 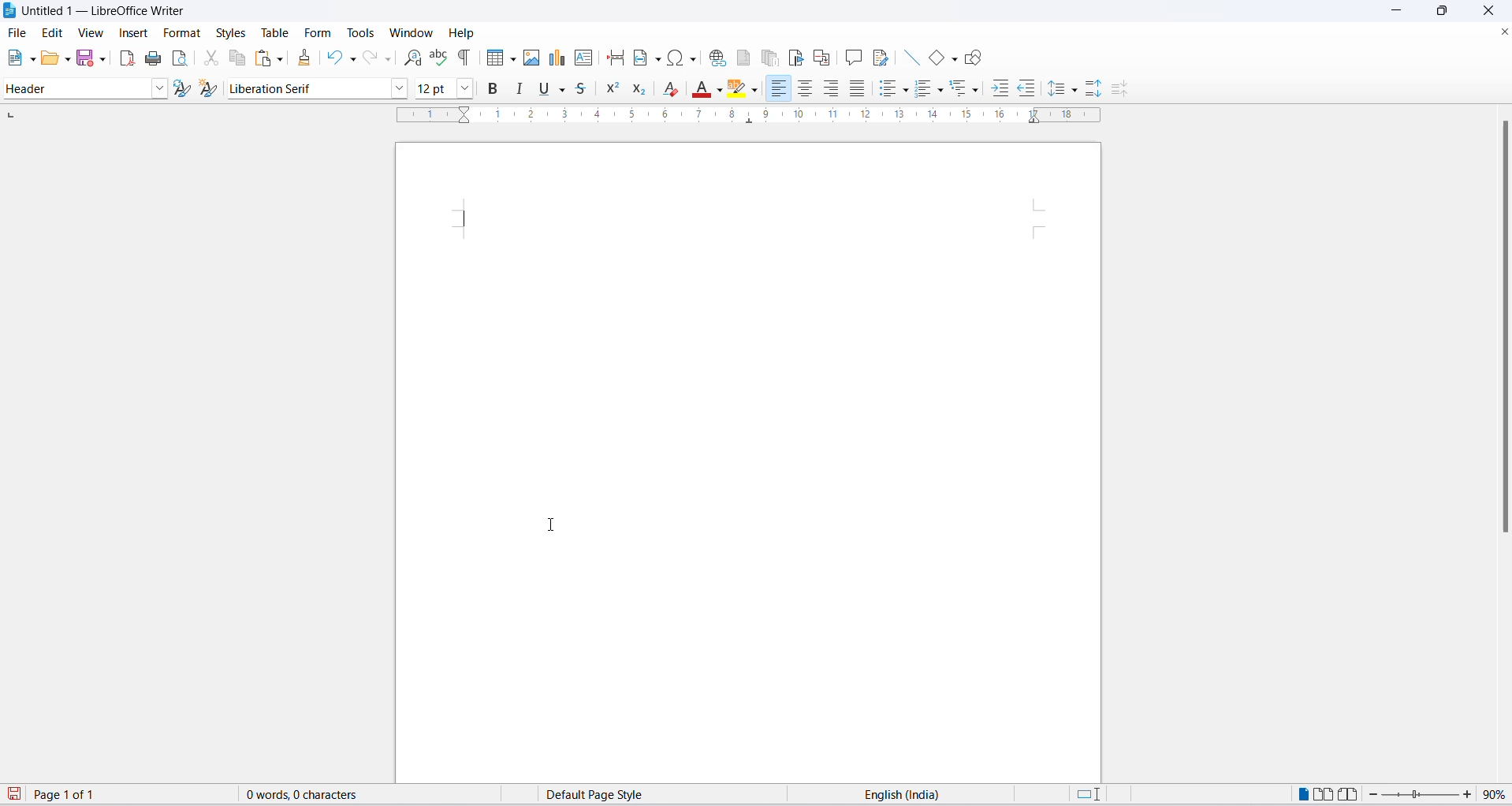 What do you see at coordinates (566, 90) in the screenshot?
I see `underline options` at bounding box center [566, 90].